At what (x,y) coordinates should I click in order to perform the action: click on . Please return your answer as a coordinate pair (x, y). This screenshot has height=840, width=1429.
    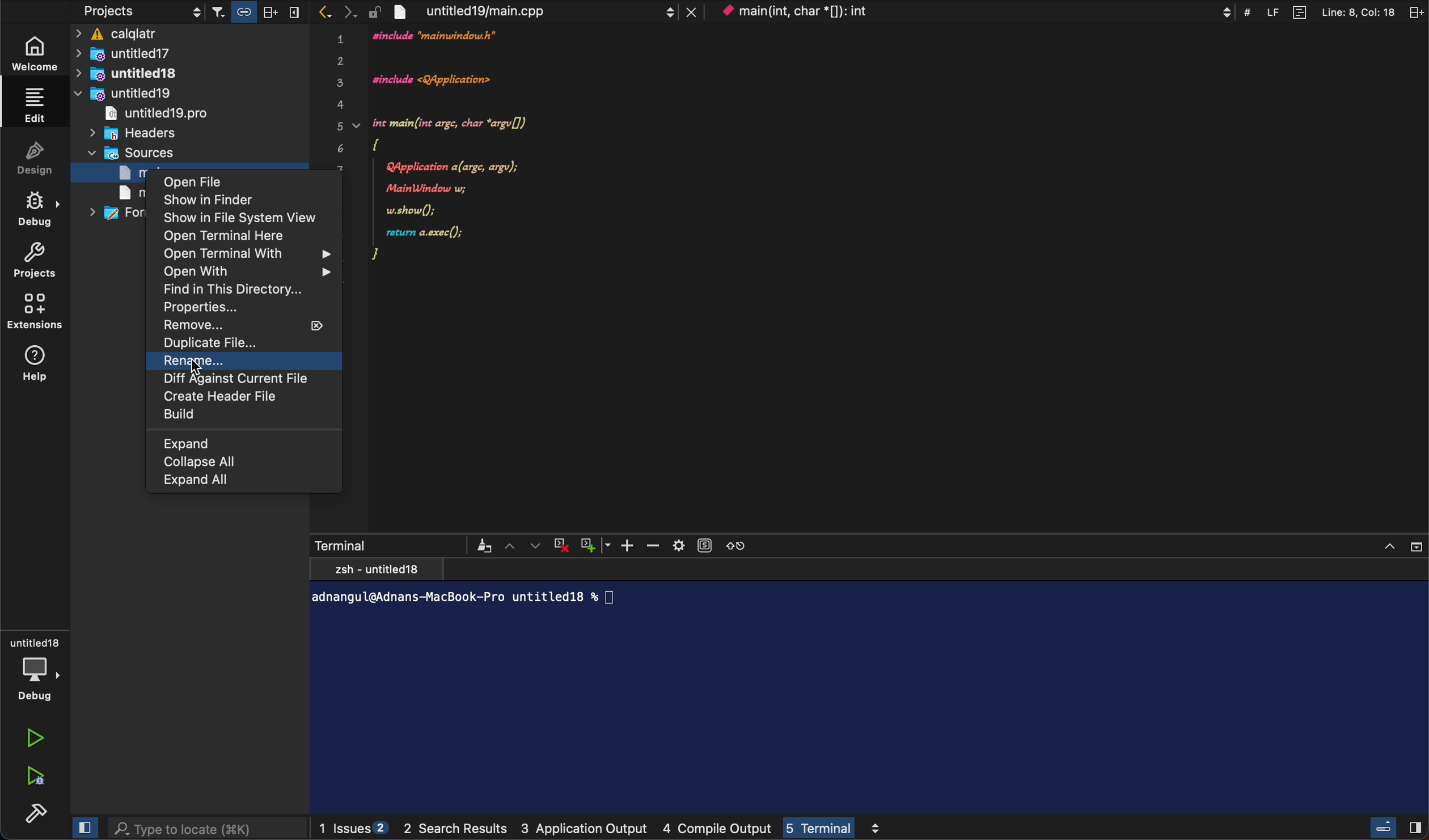
    Looking at the image, I should click on (232, 462).